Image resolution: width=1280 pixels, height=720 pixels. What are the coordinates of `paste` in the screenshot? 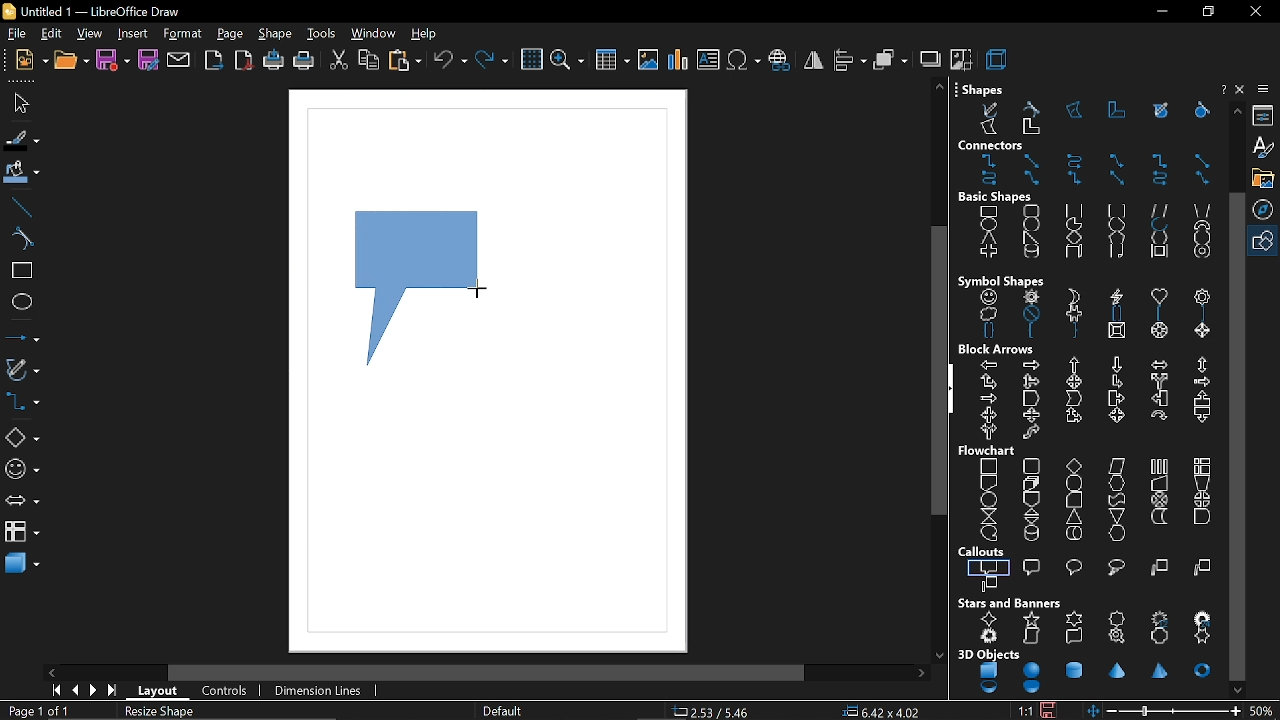 It's located at (404, 62).